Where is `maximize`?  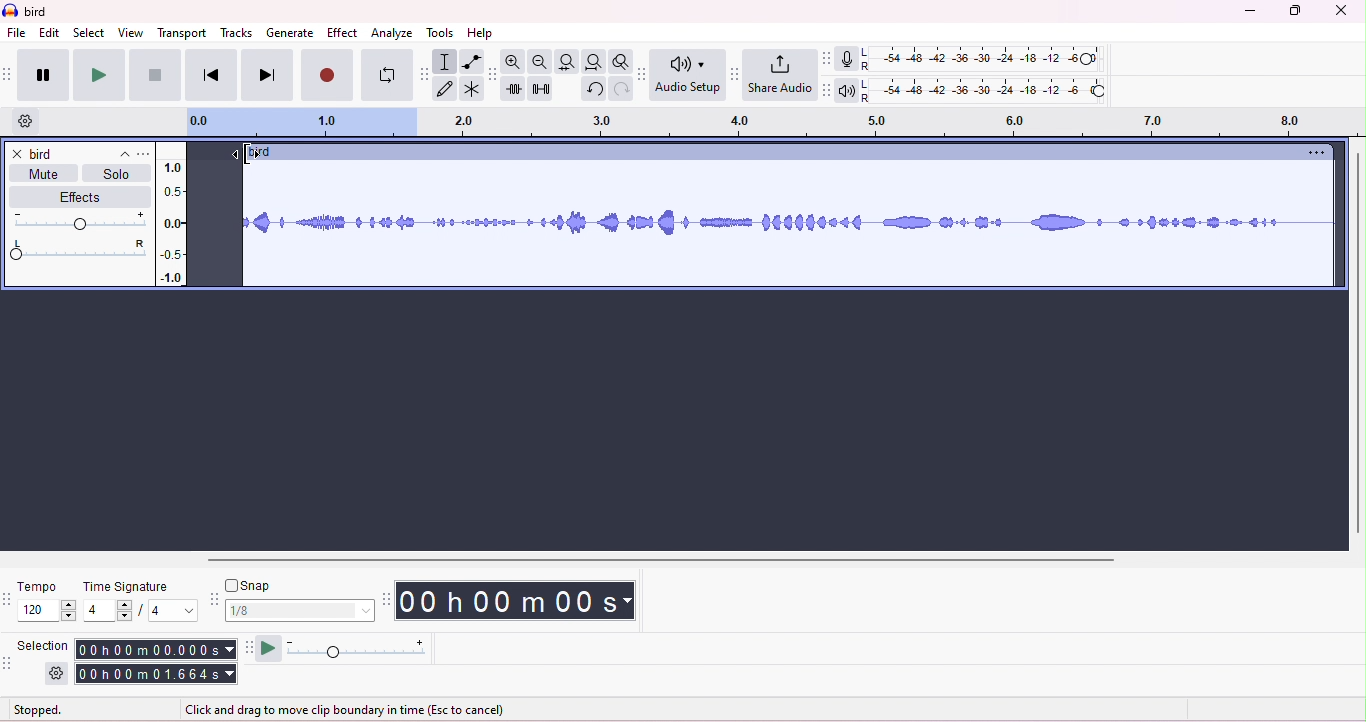 maximize is located at coordinates (1296, 12).